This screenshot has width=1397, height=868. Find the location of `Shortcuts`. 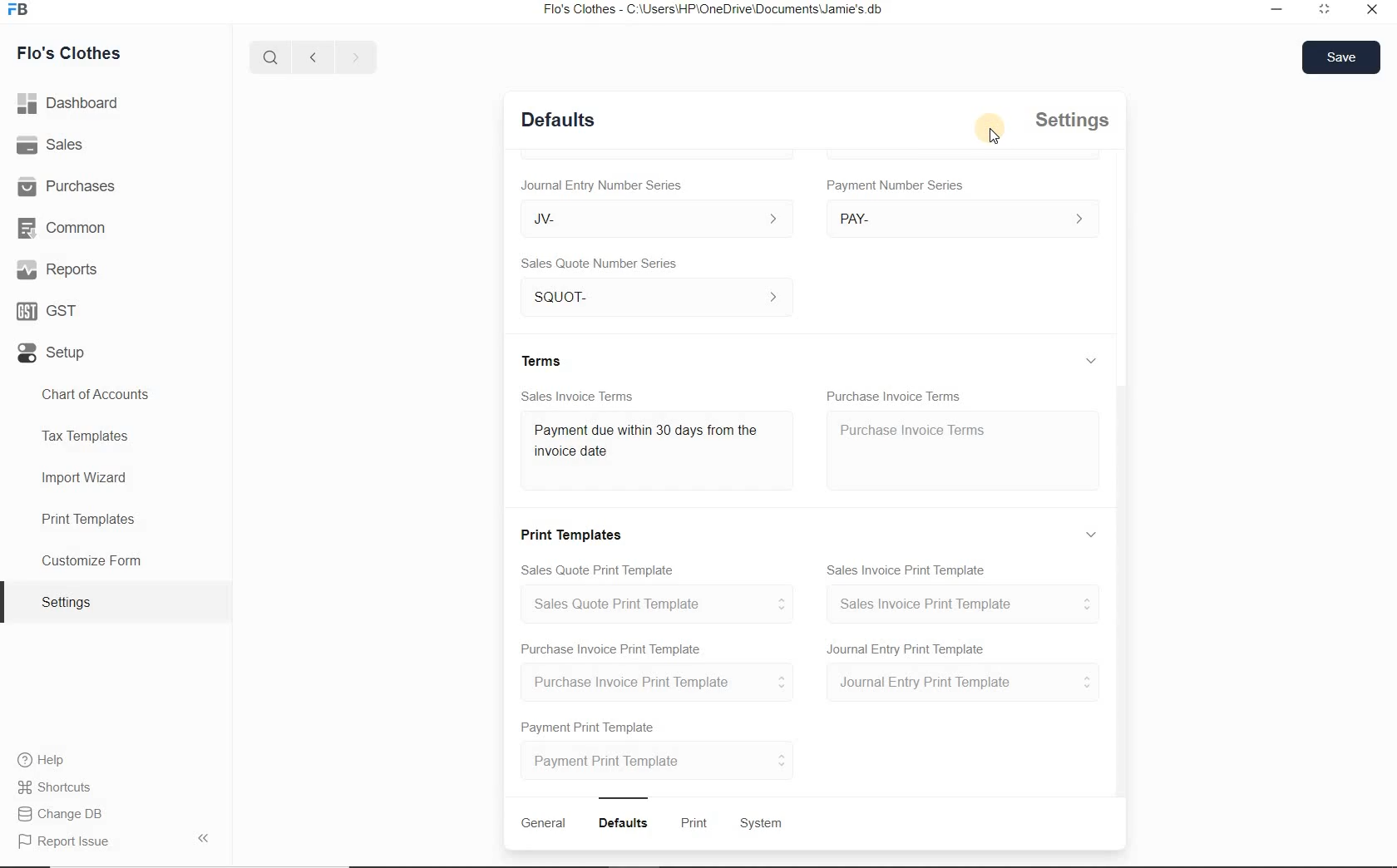

Shortcuts is located at coordinates (56, 787).